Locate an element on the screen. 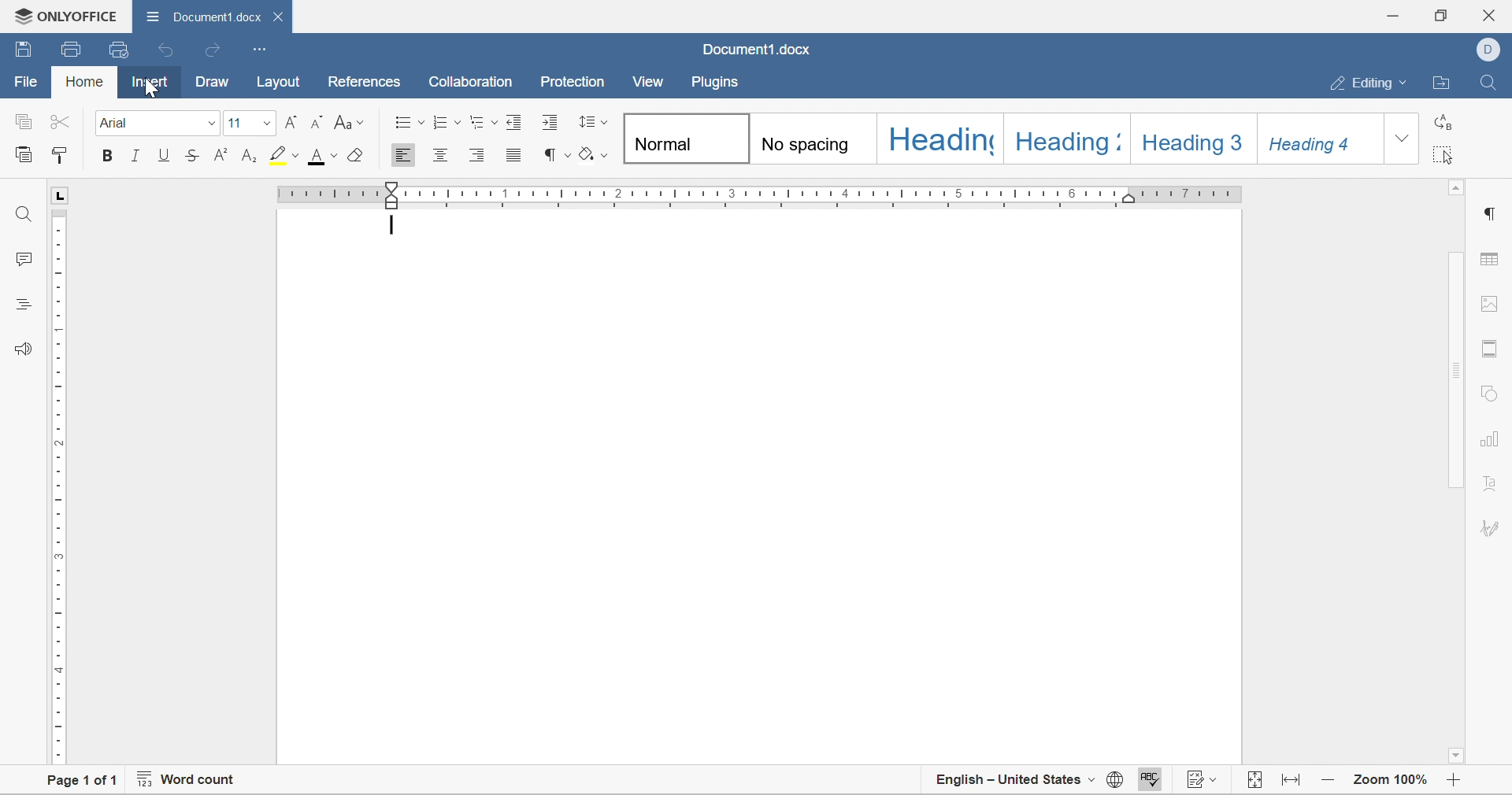 The image size is (1512, 795). ONLYOFFICE is located at coordinates (64, 14).